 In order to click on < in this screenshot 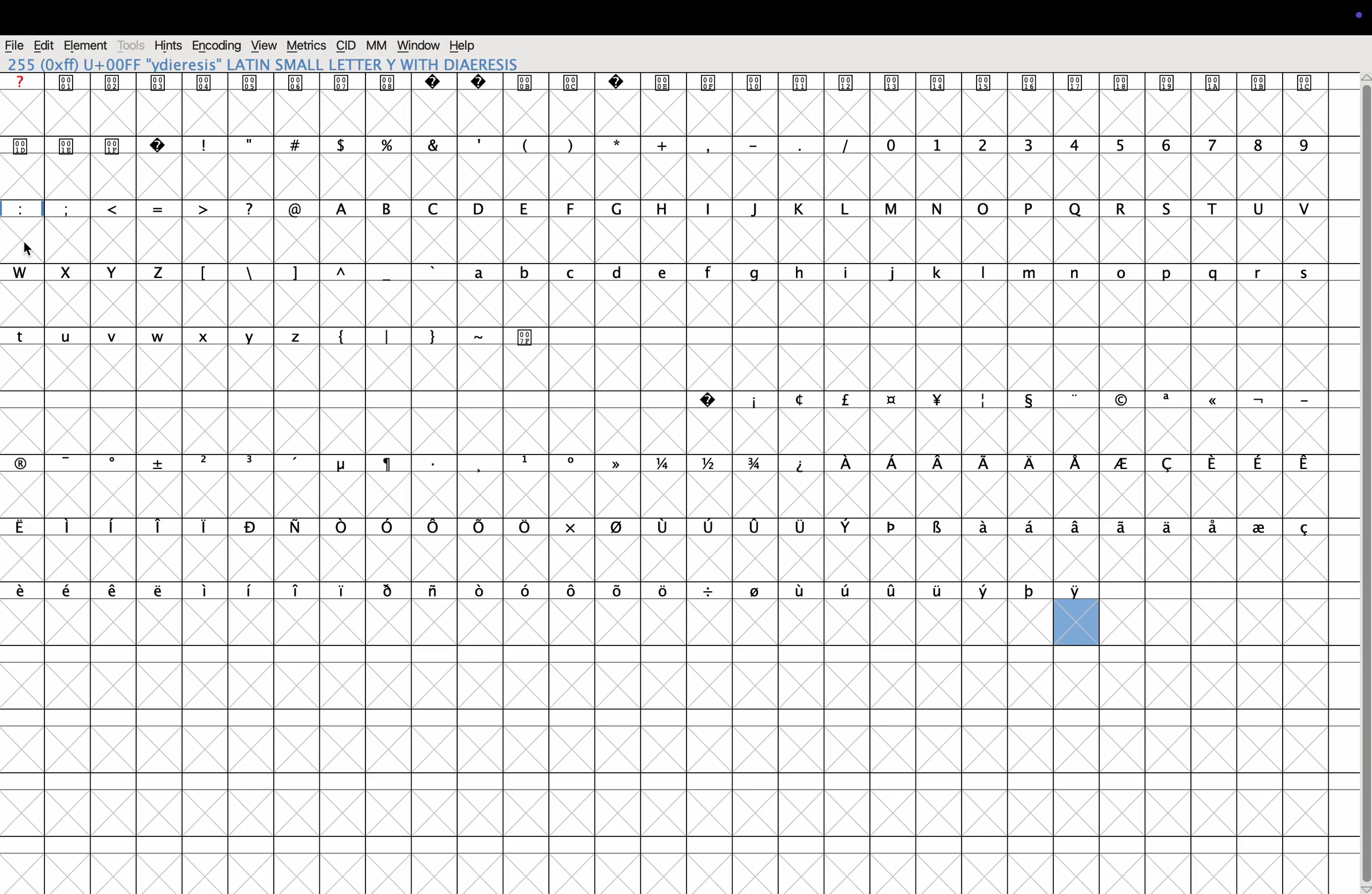, I will do `click(112, 229)`.